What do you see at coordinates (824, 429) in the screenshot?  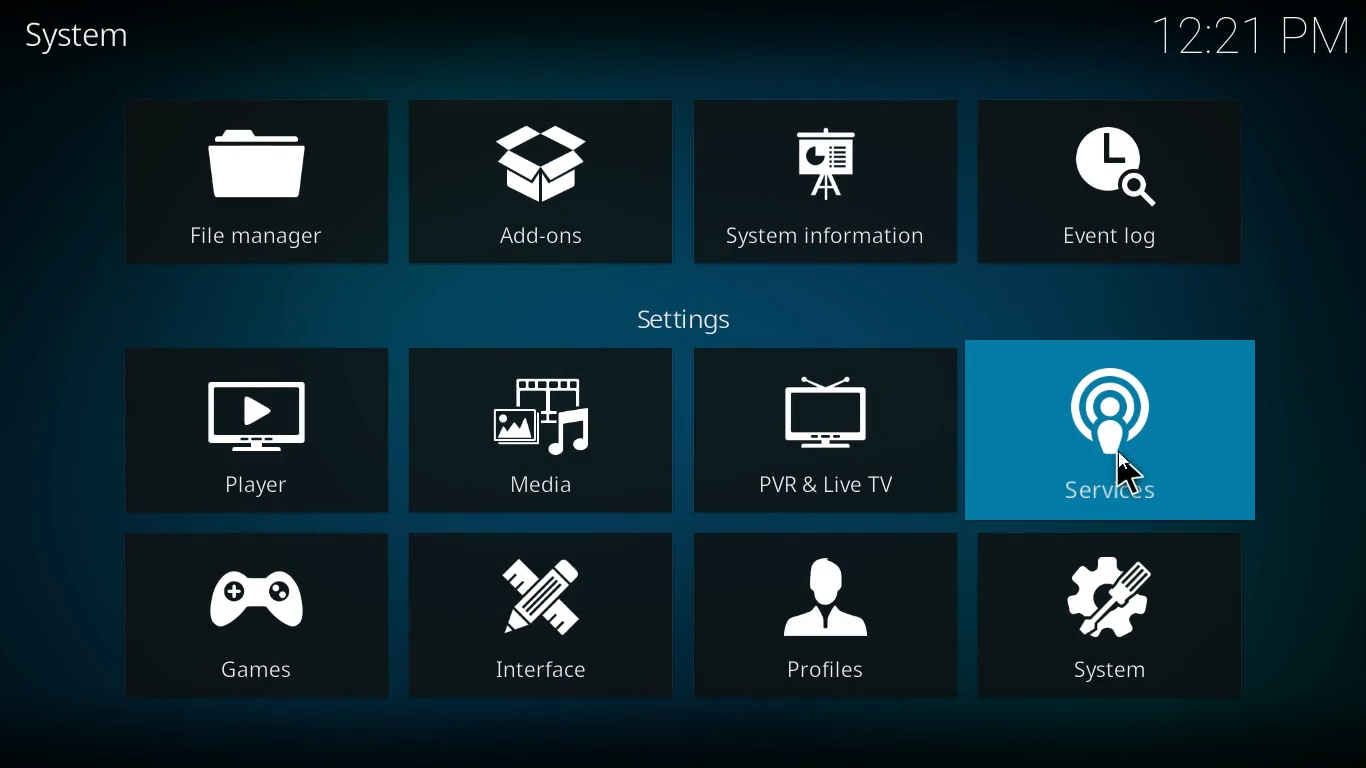 I see `pvr & live tv ` at bounding box center [824, 429].